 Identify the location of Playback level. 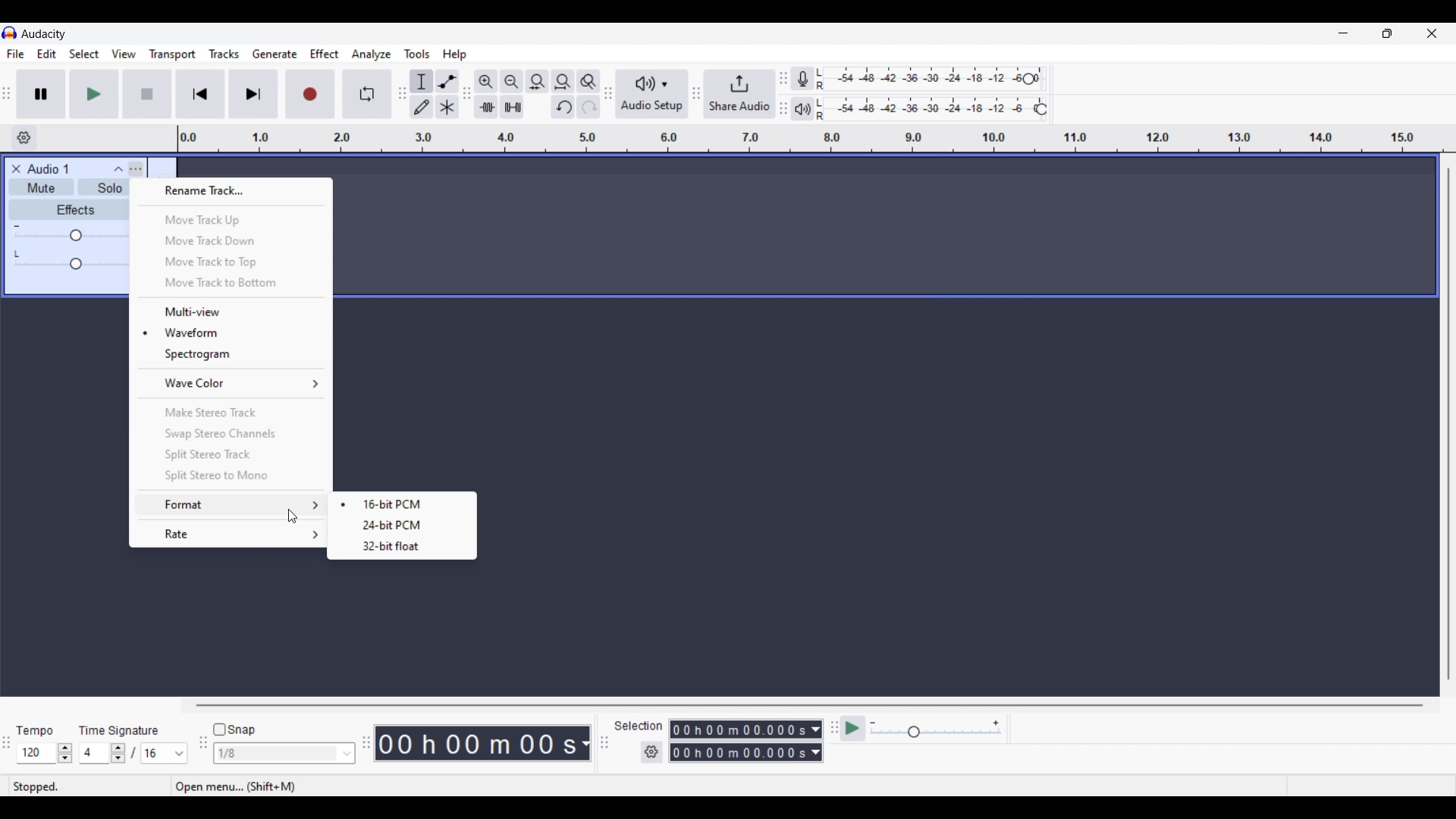
(936, 109).